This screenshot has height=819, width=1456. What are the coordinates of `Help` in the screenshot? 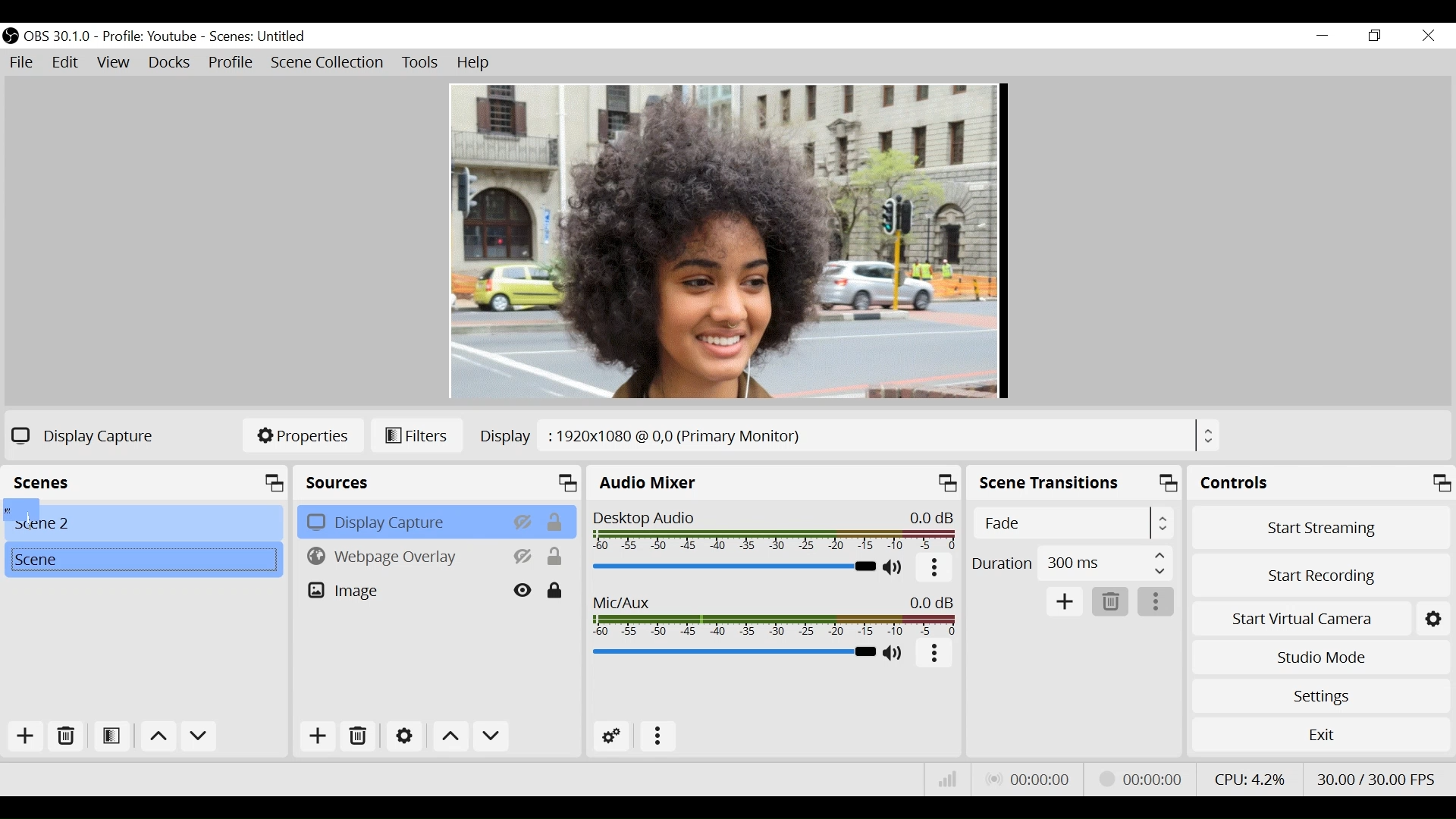 It's located at (475, 64).